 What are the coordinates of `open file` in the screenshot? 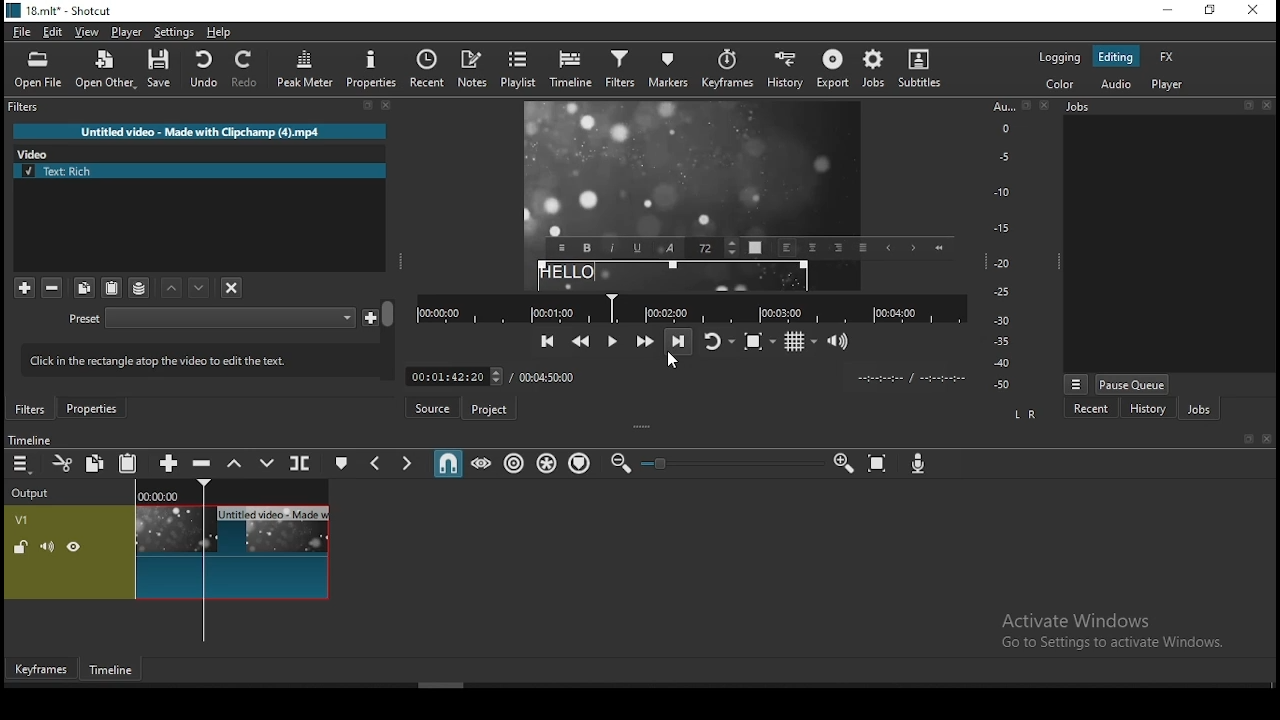 It's located at (38, 71).